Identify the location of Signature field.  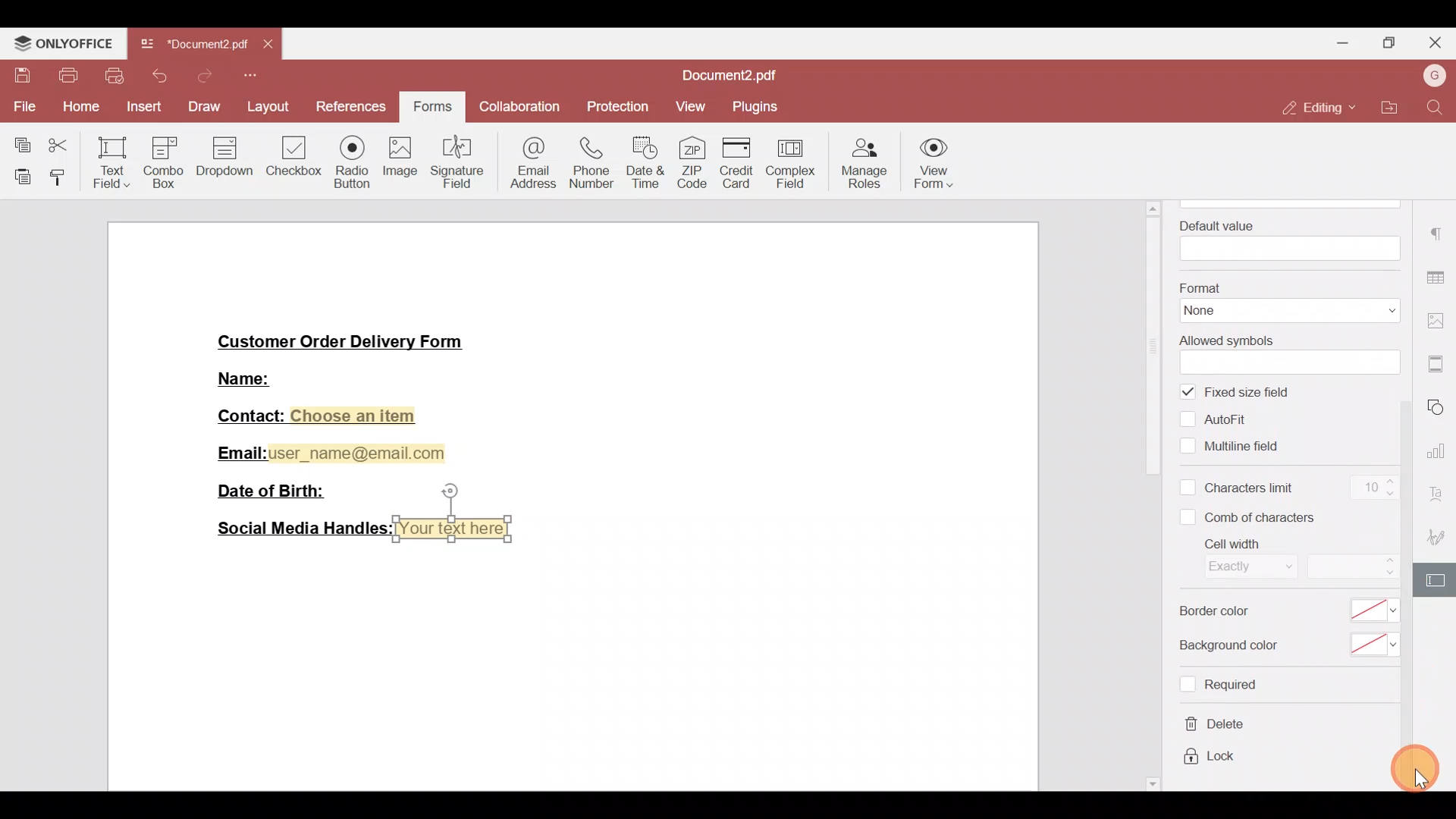
(453, 161).